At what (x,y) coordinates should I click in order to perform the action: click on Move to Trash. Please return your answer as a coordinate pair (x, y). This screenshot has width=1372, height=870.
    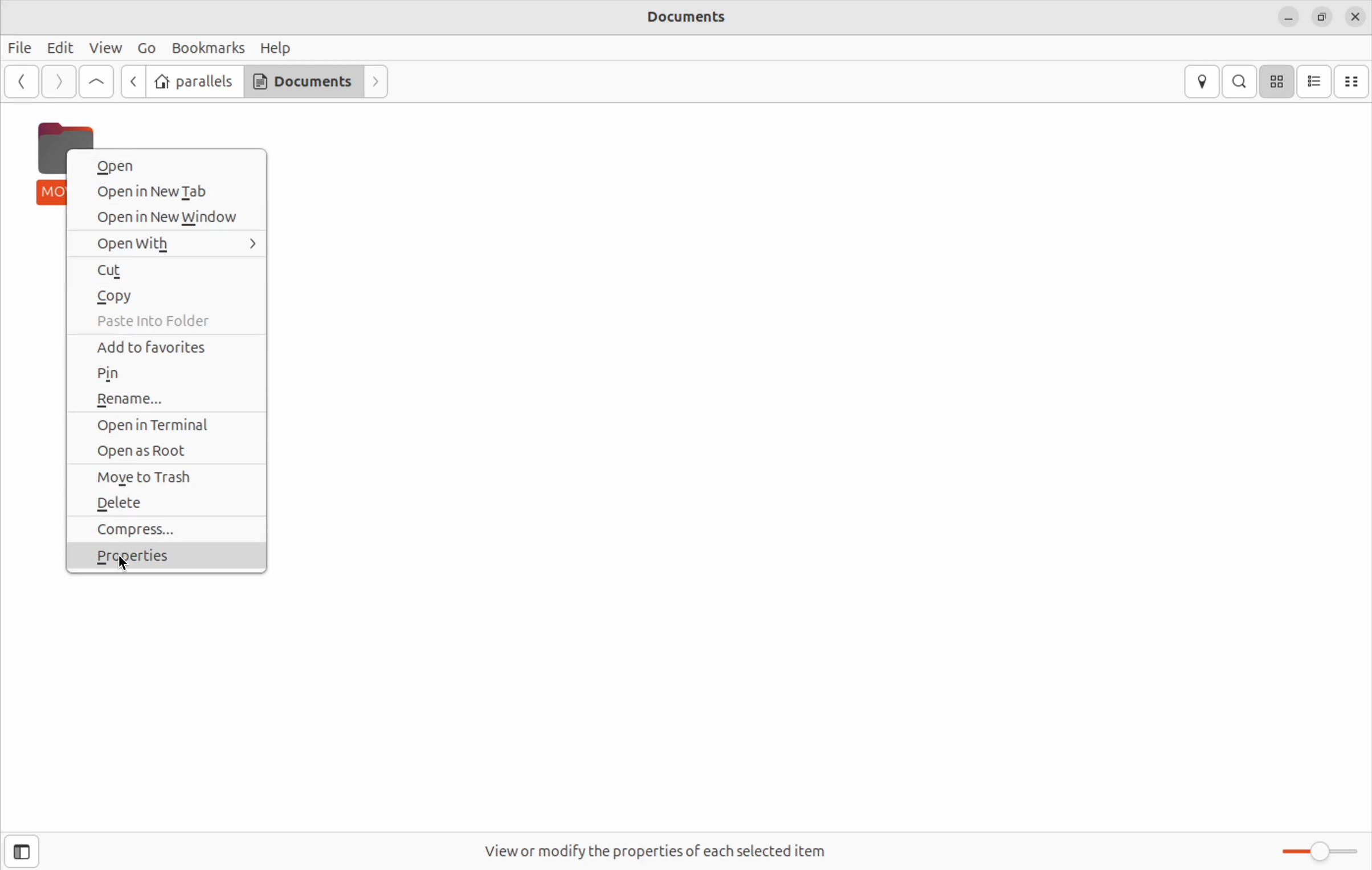
    Looking at the image, I should click on (166, 475).